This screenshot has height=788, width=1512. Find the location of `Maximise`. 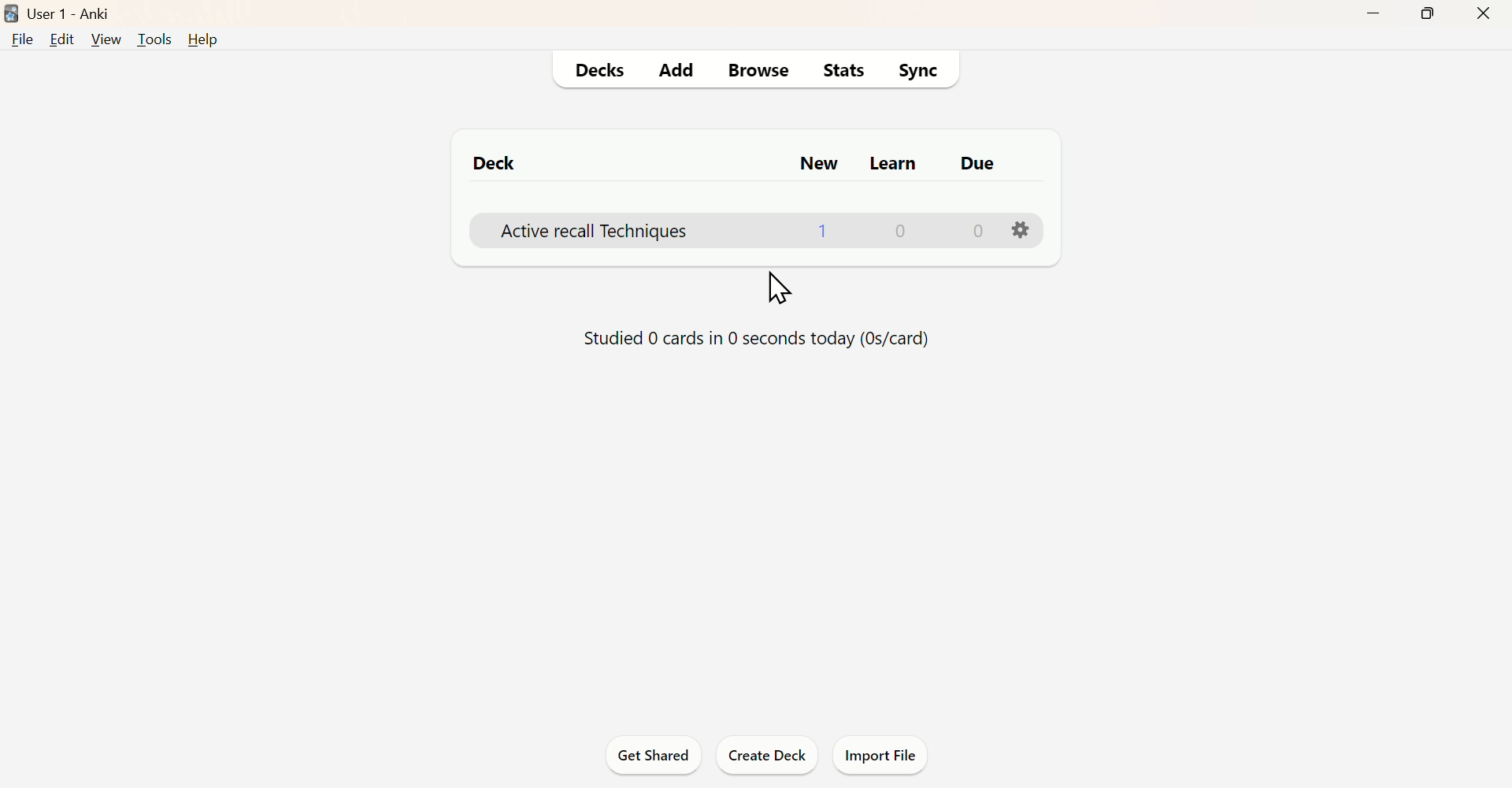

Maximise is located at coordinates (1426, 13).